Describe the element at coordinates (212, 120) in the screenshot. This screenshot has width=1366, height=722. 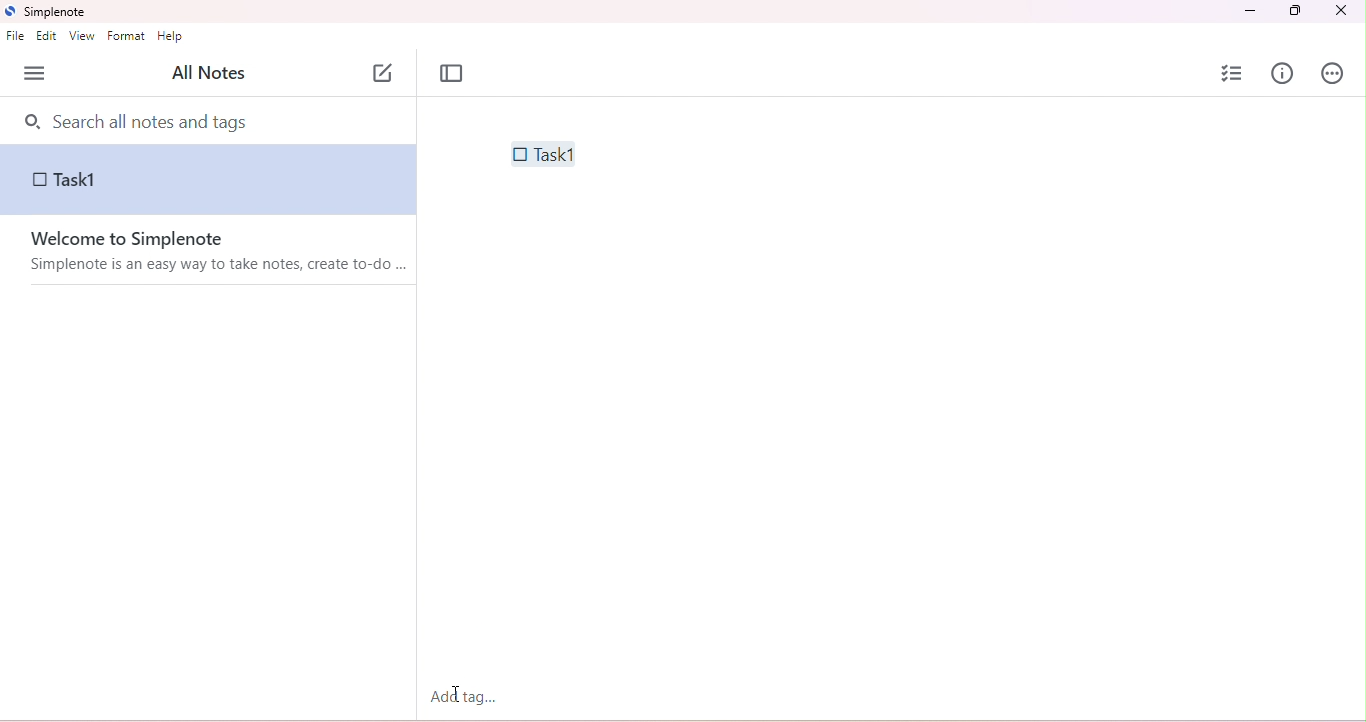
I see `search bar` at that location.